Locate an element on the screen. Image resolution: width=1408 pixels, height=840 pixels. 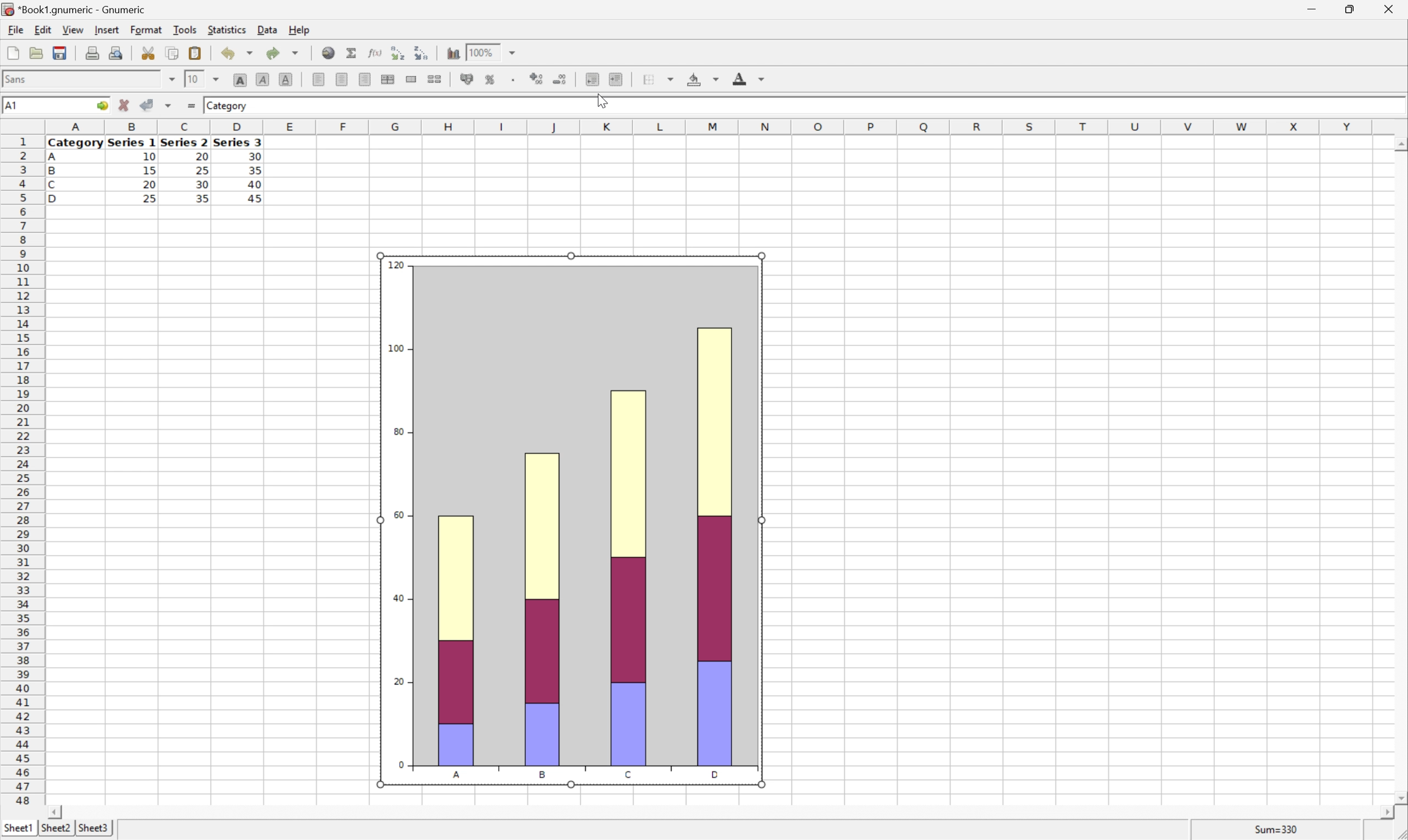
Save current workbook is located at coordinates (59, 52).